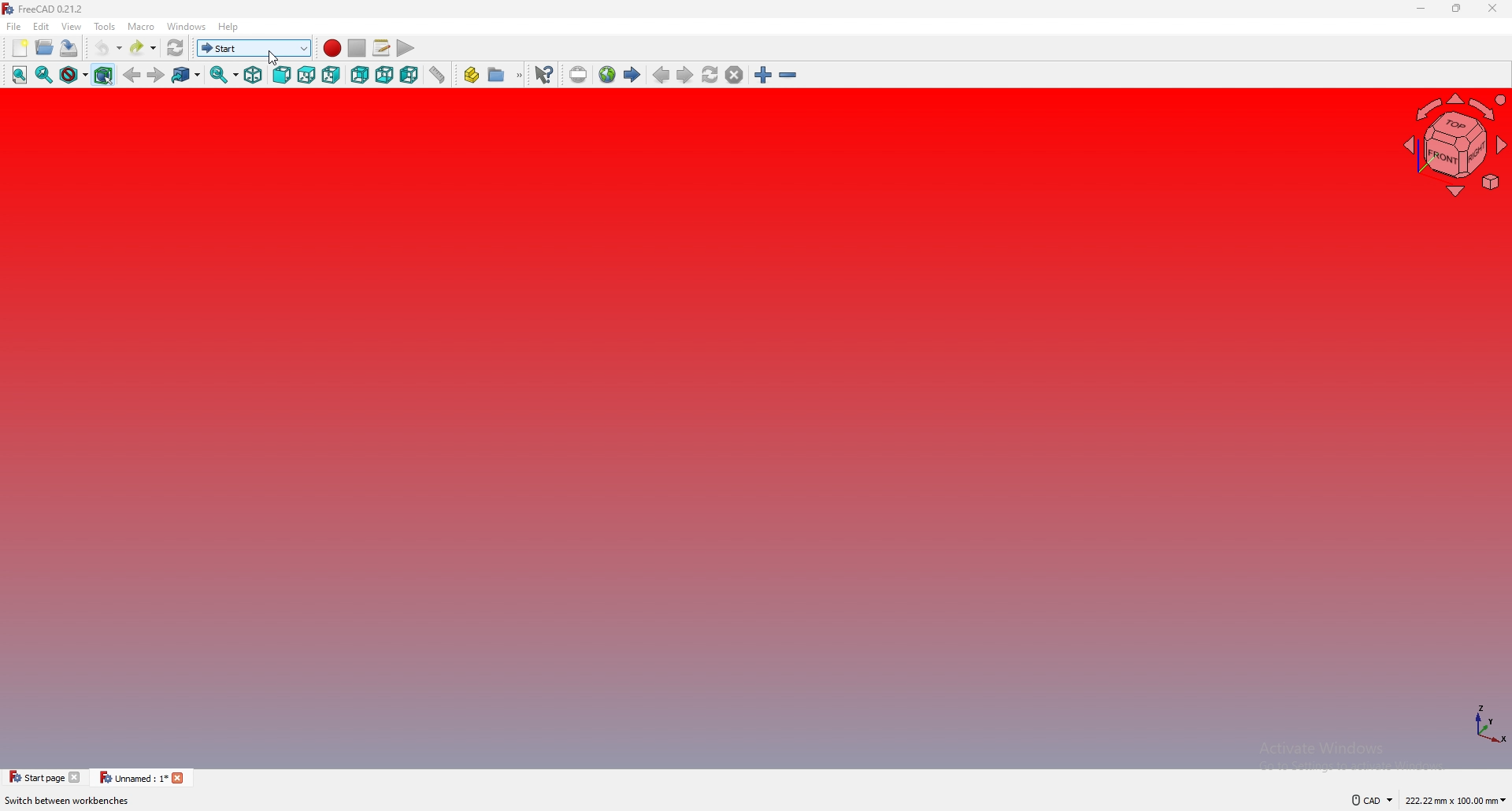 The height and width of the screenshot is (811, 1512). What do you see at coordinates (132, 74) in the screenshot?
I see `back` at bounding box center [132, 74].